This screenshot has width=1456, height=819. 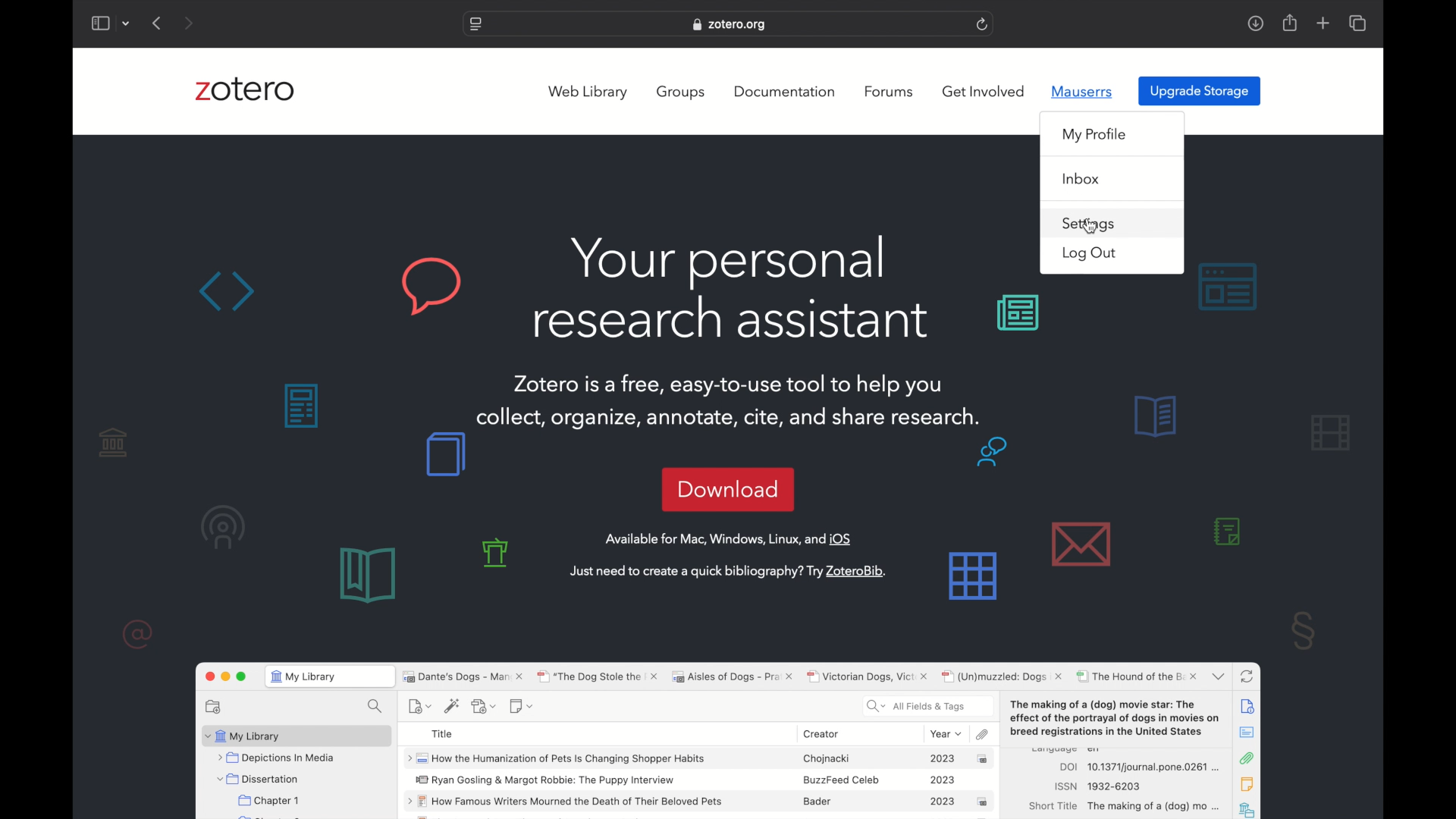 What do you see at coordinates (1323, 23) in the screenshot?
I see `new tab` at bounding box center [1323, 23].